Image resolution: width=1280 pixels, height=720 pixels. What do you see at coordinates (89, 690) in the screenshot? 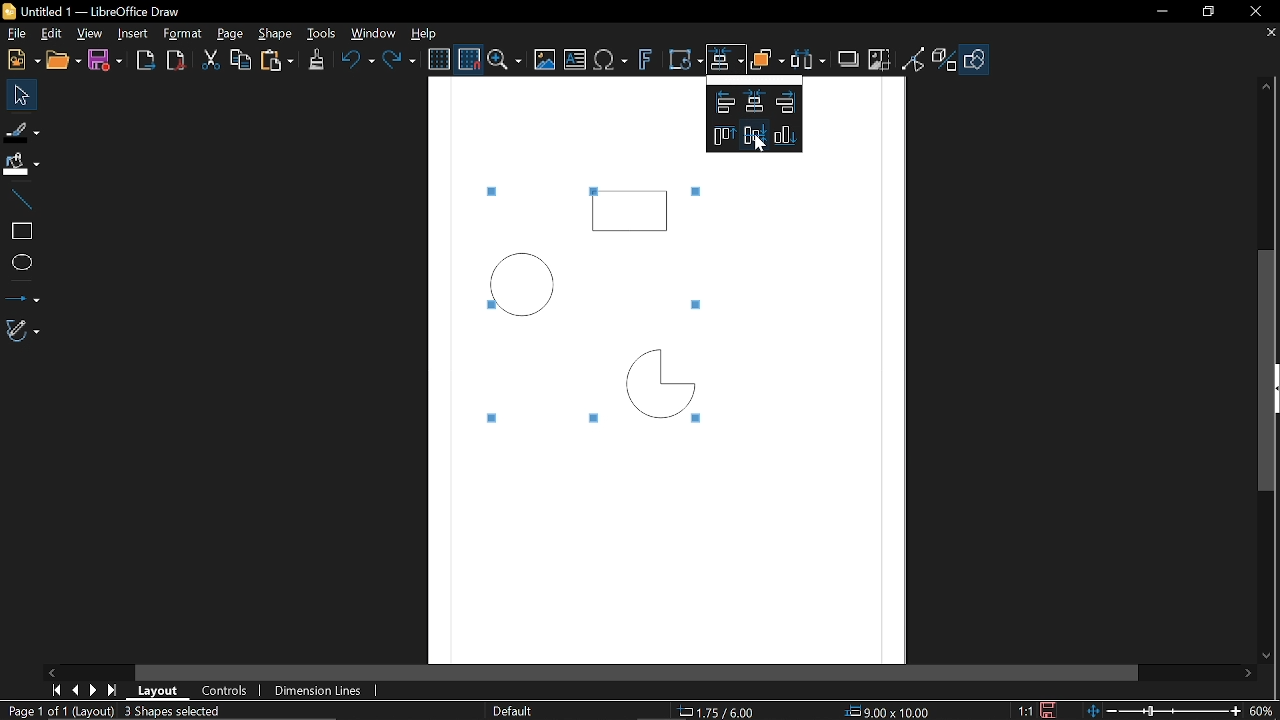
I see `next page` at bounding box center [89, 690].